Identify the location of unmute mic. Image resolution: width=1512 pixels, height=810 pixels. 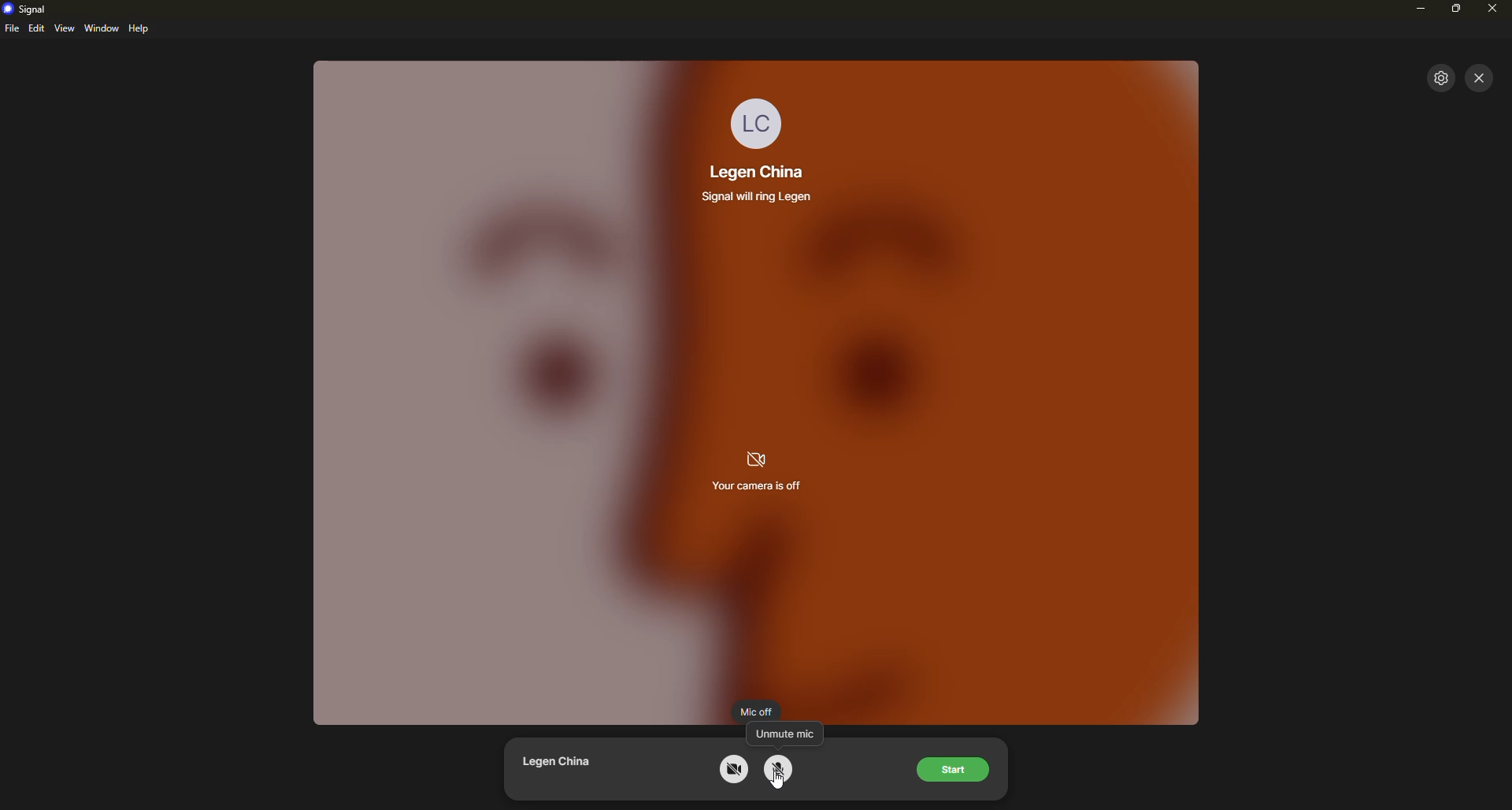
(787, 733).